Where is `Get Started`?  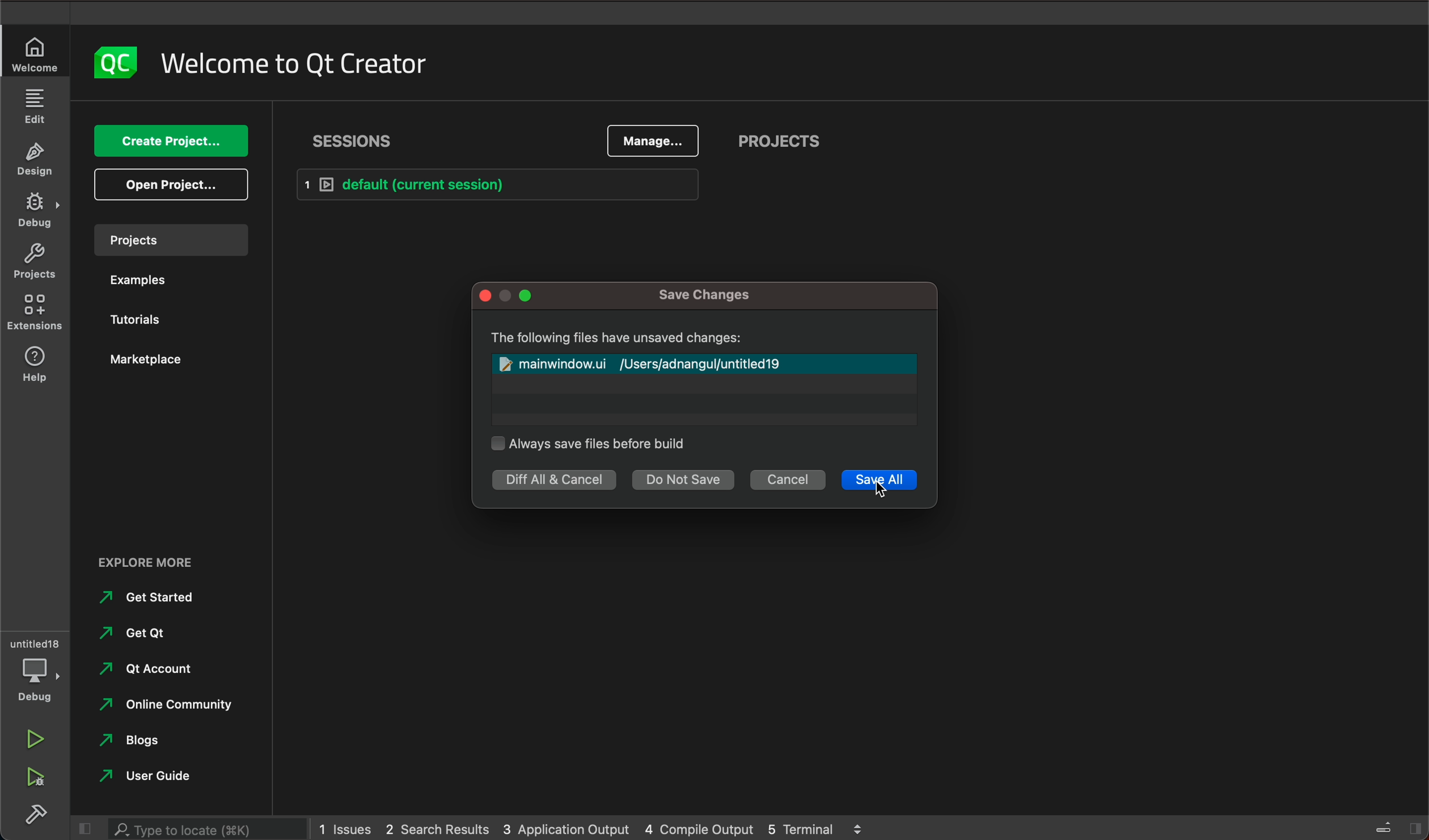 Get Started is located at coordinates (150, 595).